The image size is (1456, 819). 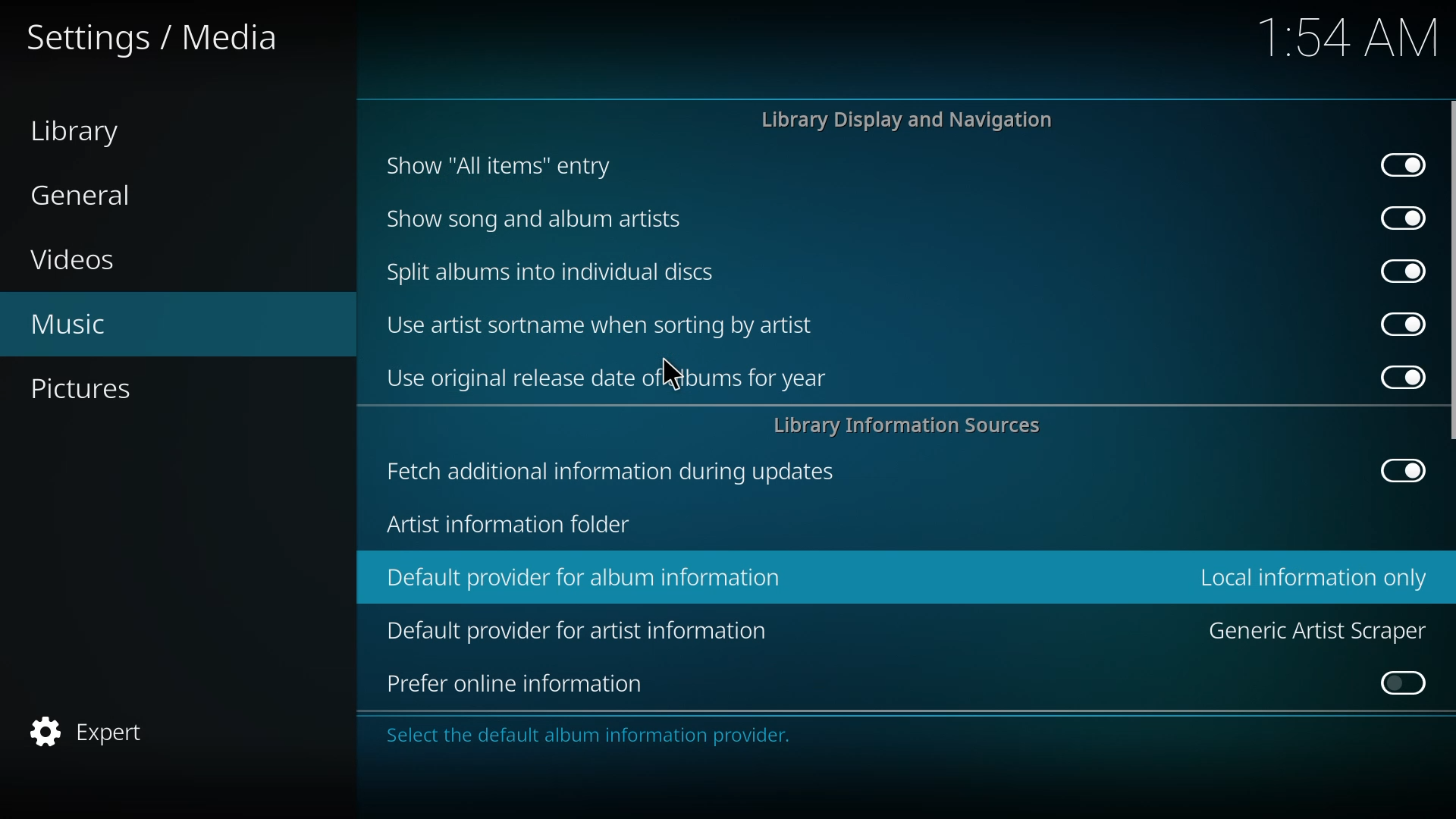 What do you see at coordinates (79, 260) in the screenshot?
I see `videos` at bounding box center [79, 260].